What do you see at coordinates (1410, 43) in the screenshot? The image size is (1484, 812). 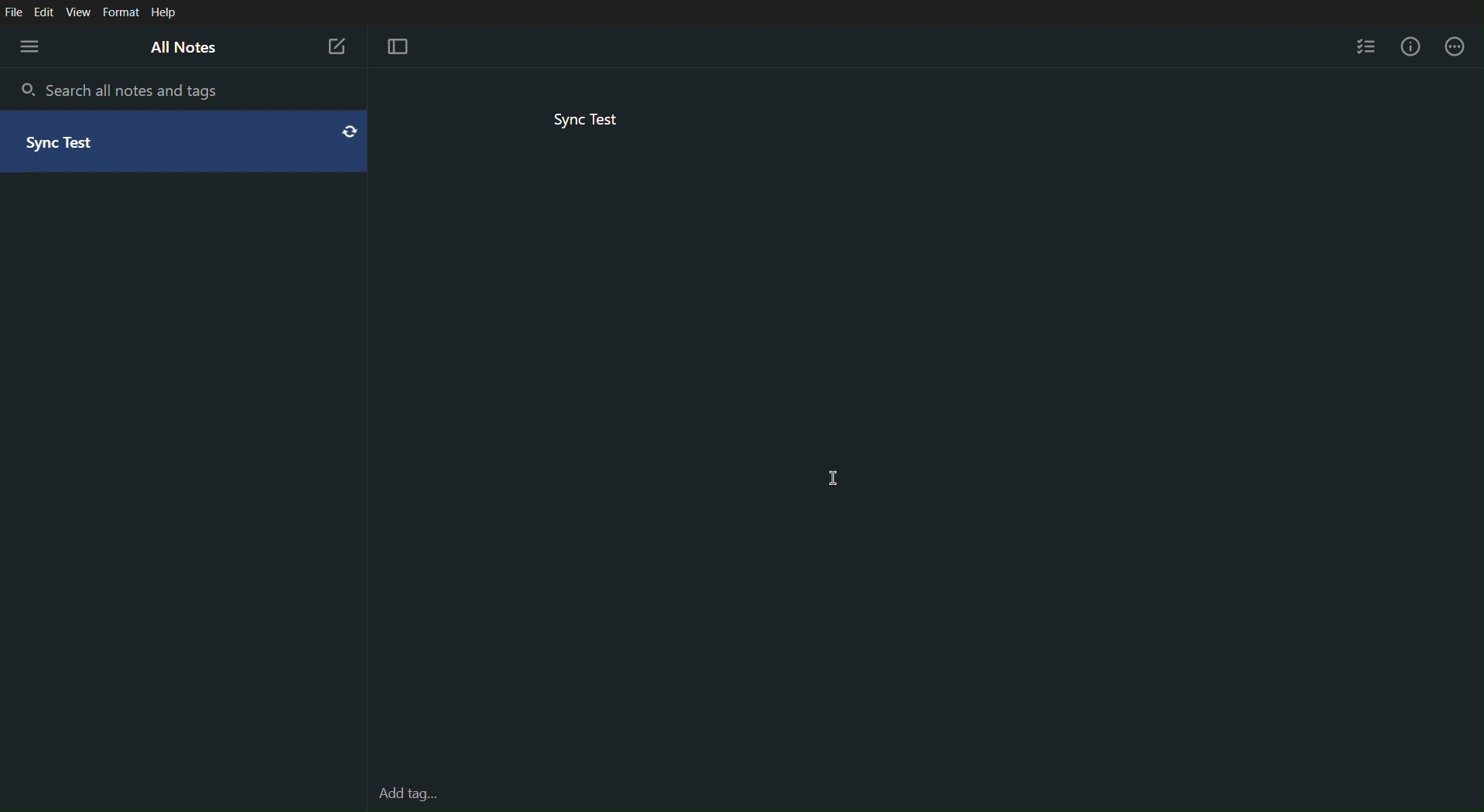 I see `Info` at bounding box center [1410, 43].